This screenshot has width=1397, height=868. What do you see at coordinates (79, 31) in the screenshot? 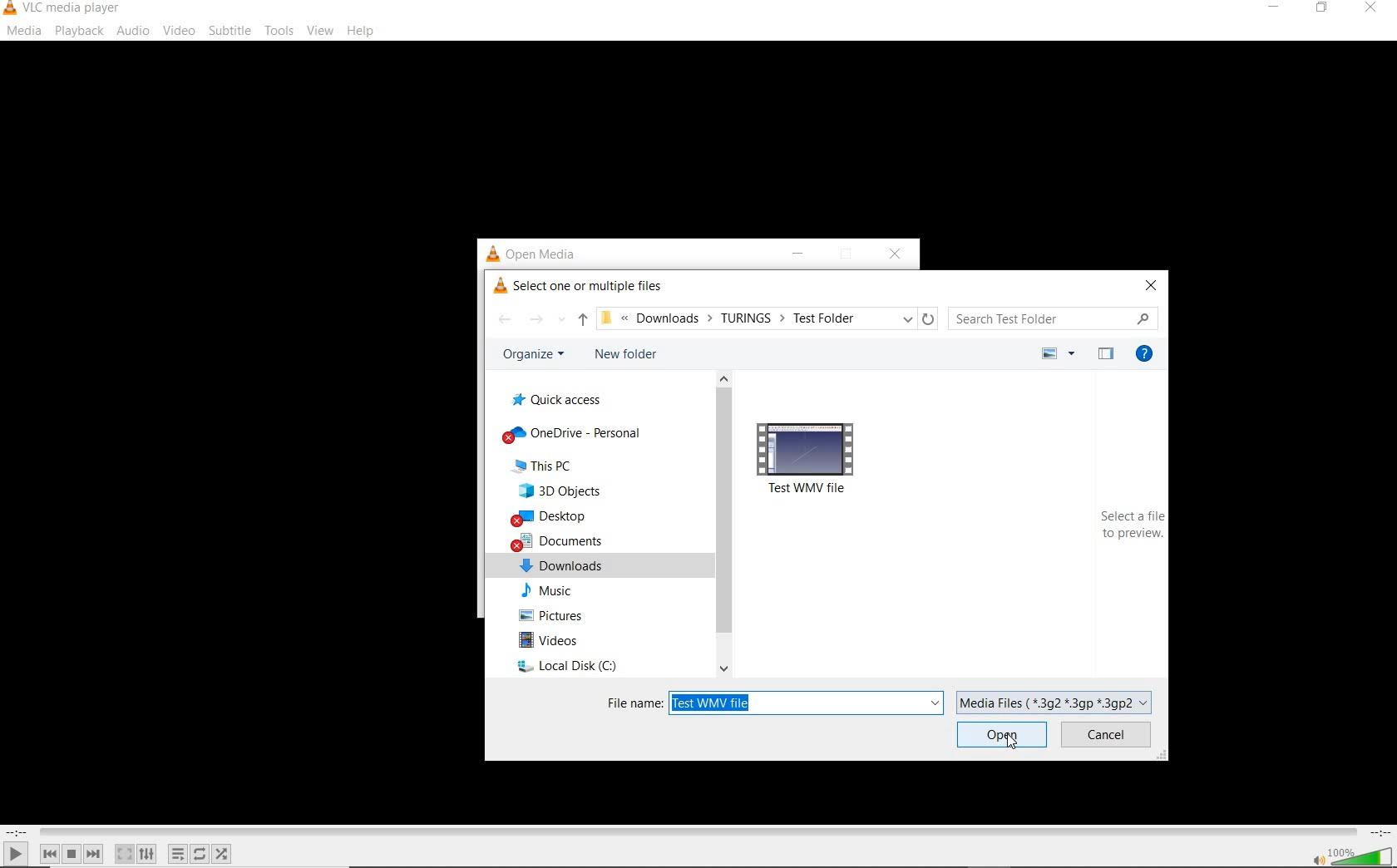
I see `playback` at bounding box center [79, 31].